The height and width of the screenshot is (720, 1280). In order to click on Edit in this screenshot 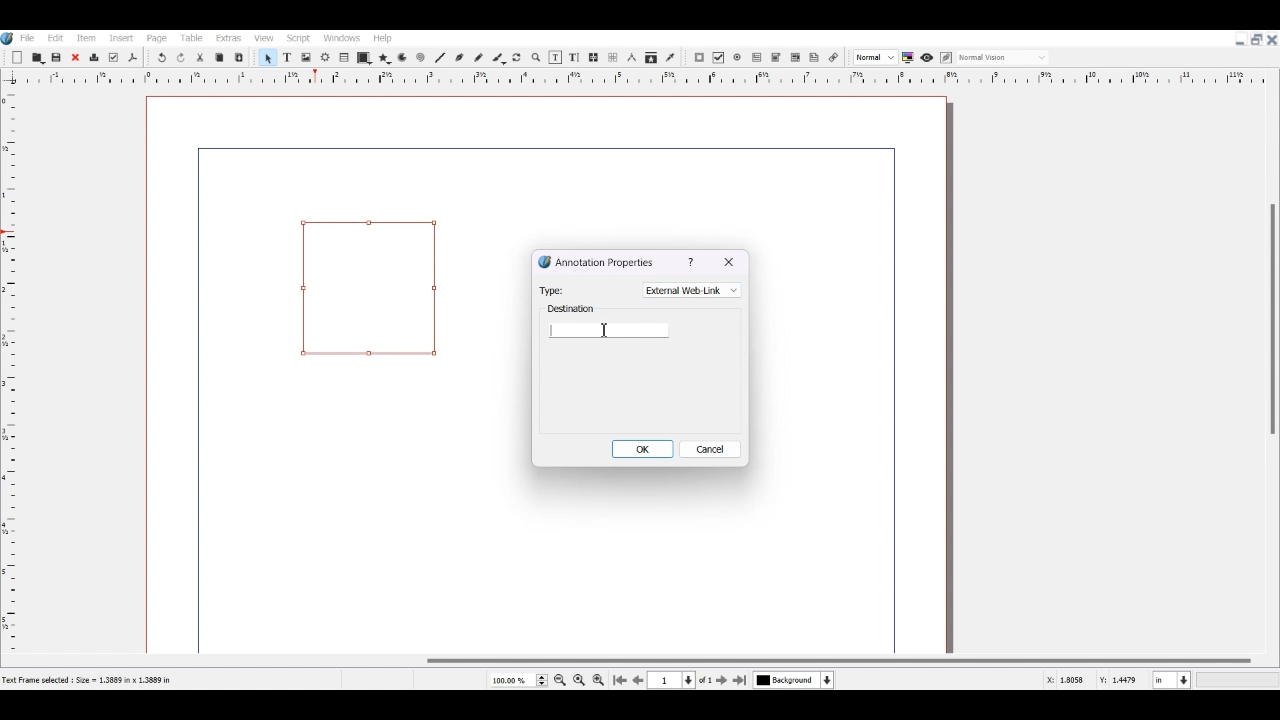, I will do `click(54, 37)`.